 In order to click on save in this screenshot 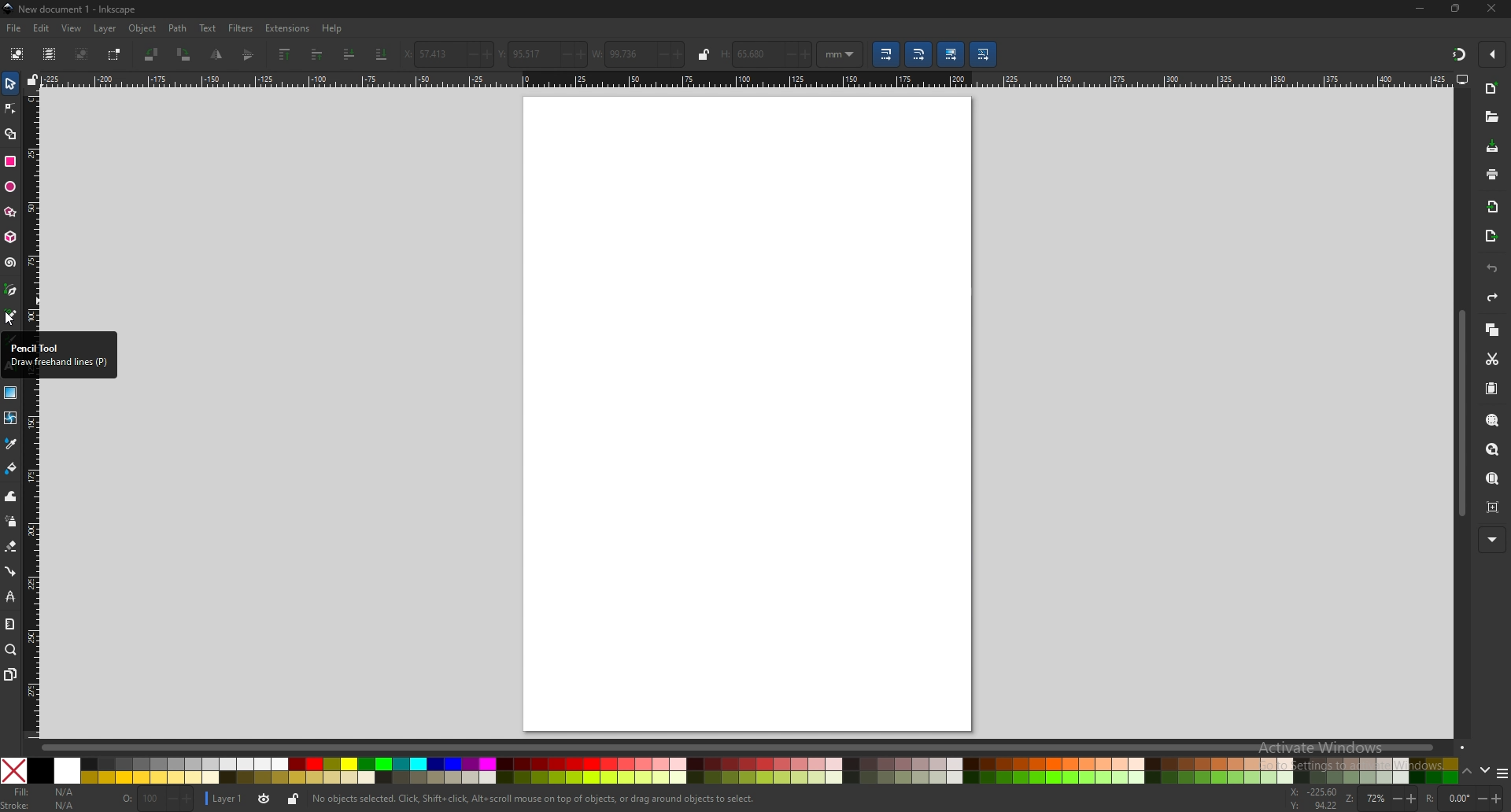, I will do `click(1493, 148)`.